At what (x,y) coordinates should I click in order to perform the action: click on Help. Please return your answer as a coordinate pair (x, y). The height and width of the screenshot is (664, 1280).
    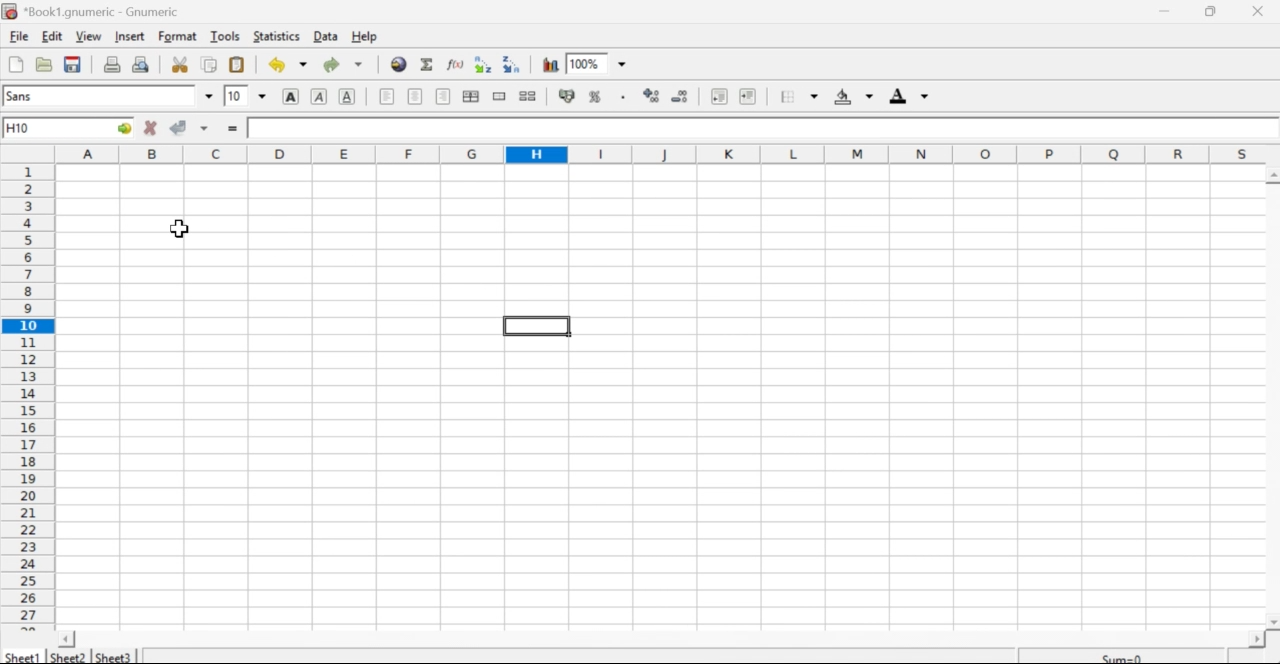
    Looking at the image, I should click on (366, 37).